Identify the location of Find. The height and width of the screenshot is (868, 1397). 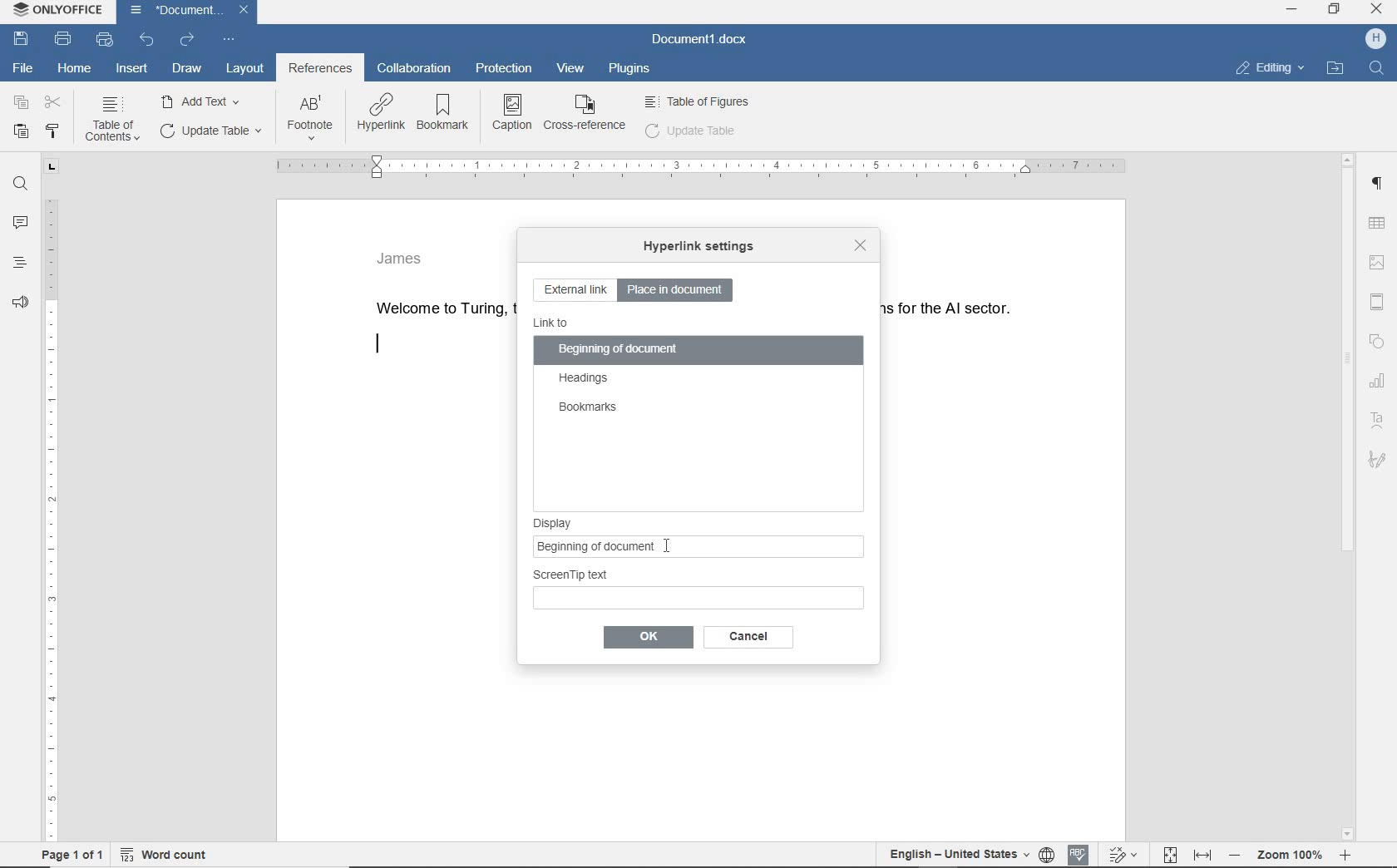
(1380, 67).